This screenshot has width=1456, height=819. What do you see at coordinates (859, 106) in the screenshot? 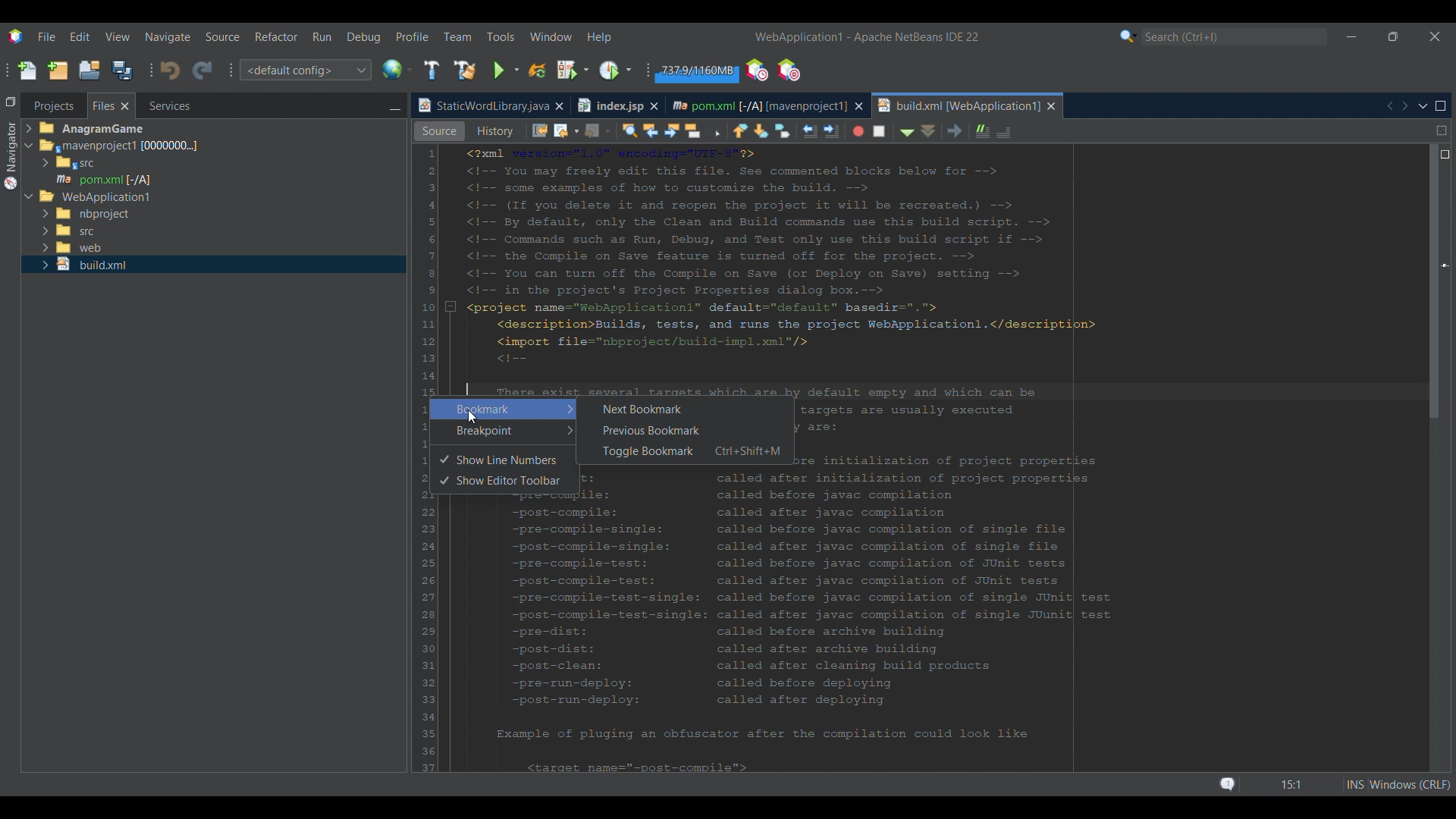
I see `Close tab` at bounding box center [859, 106].